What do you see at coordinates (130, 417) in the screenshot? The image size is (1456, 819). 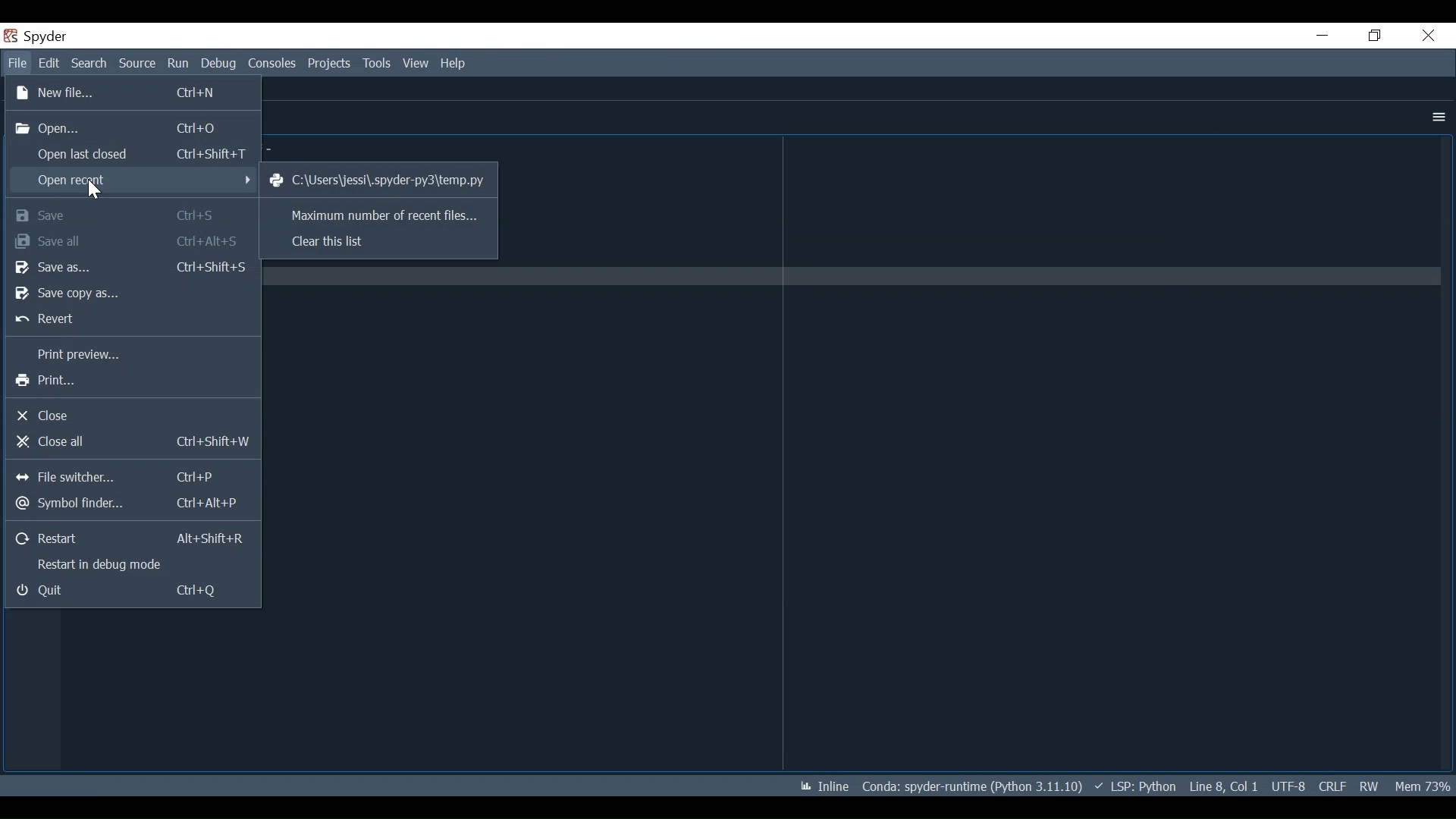 I see `Close` at bounding box center [130, 417].